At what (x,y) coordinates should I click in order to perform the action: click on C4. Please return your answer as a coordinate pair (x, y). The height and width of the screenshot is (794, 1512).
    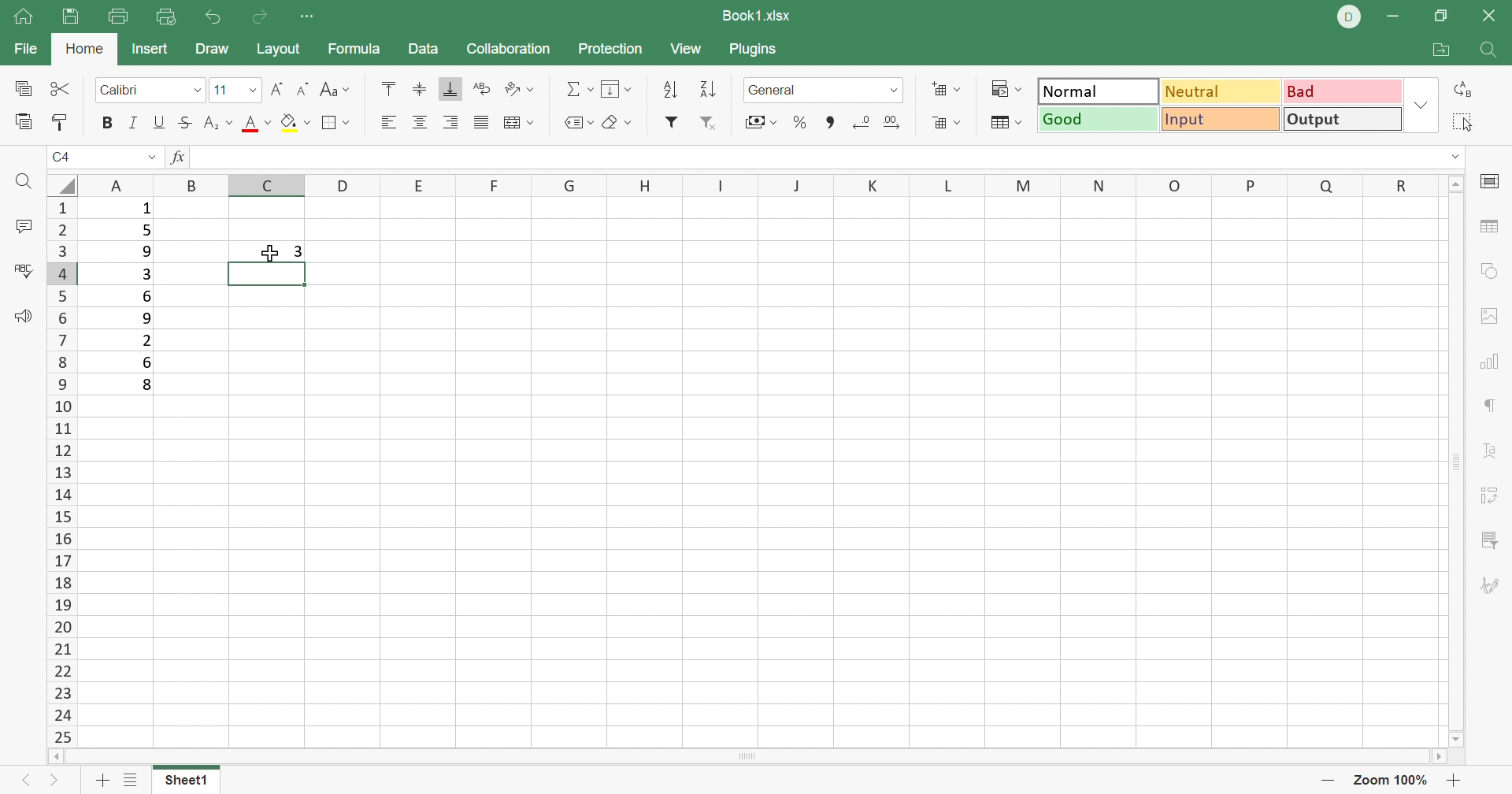
    Looking at the image, I should click on (65, 158).